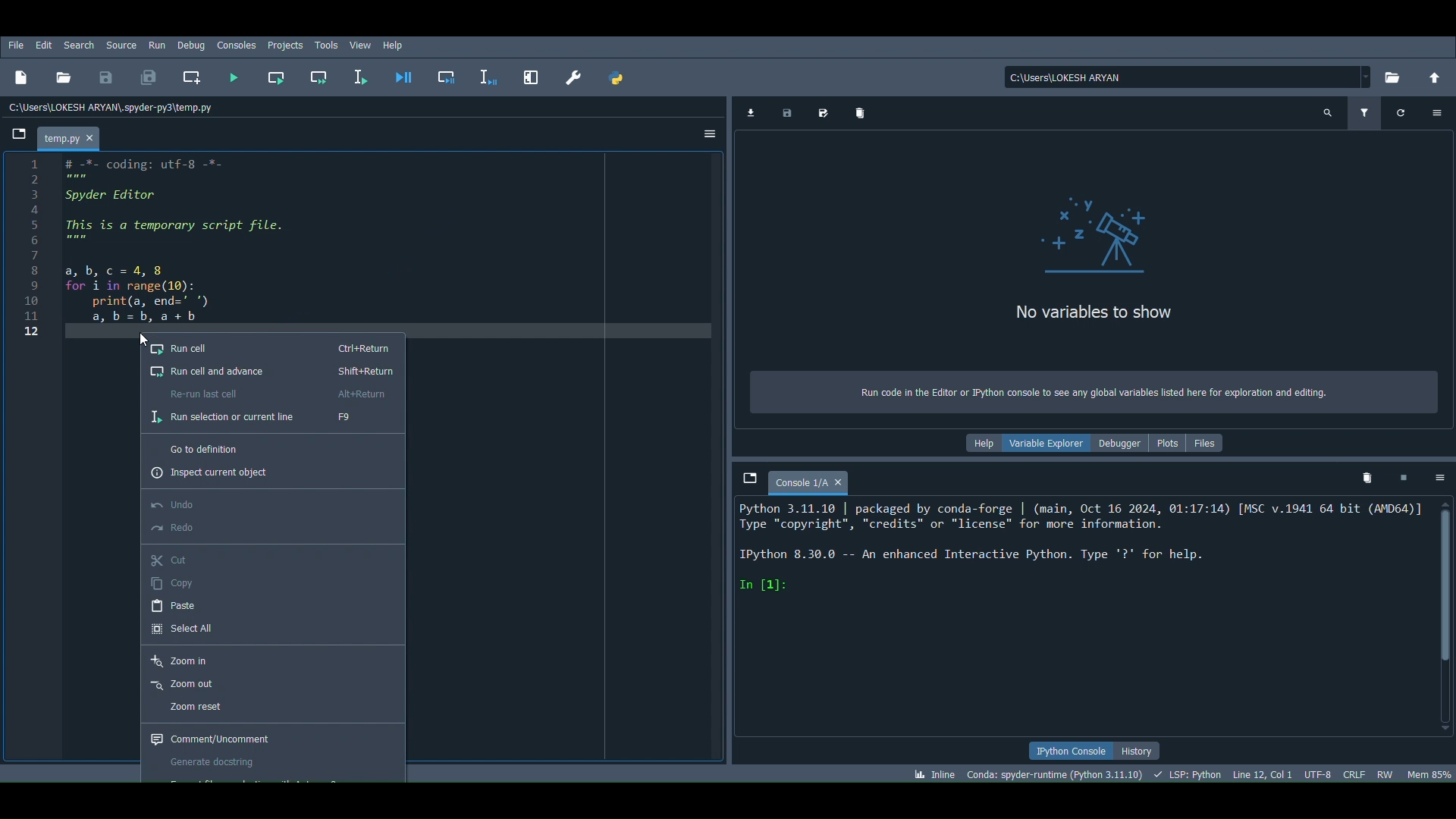 This screenshot has width=1456, height=819. Describe the element at coordinates (67, 136) in the screenshot. I see `File name` at that location.